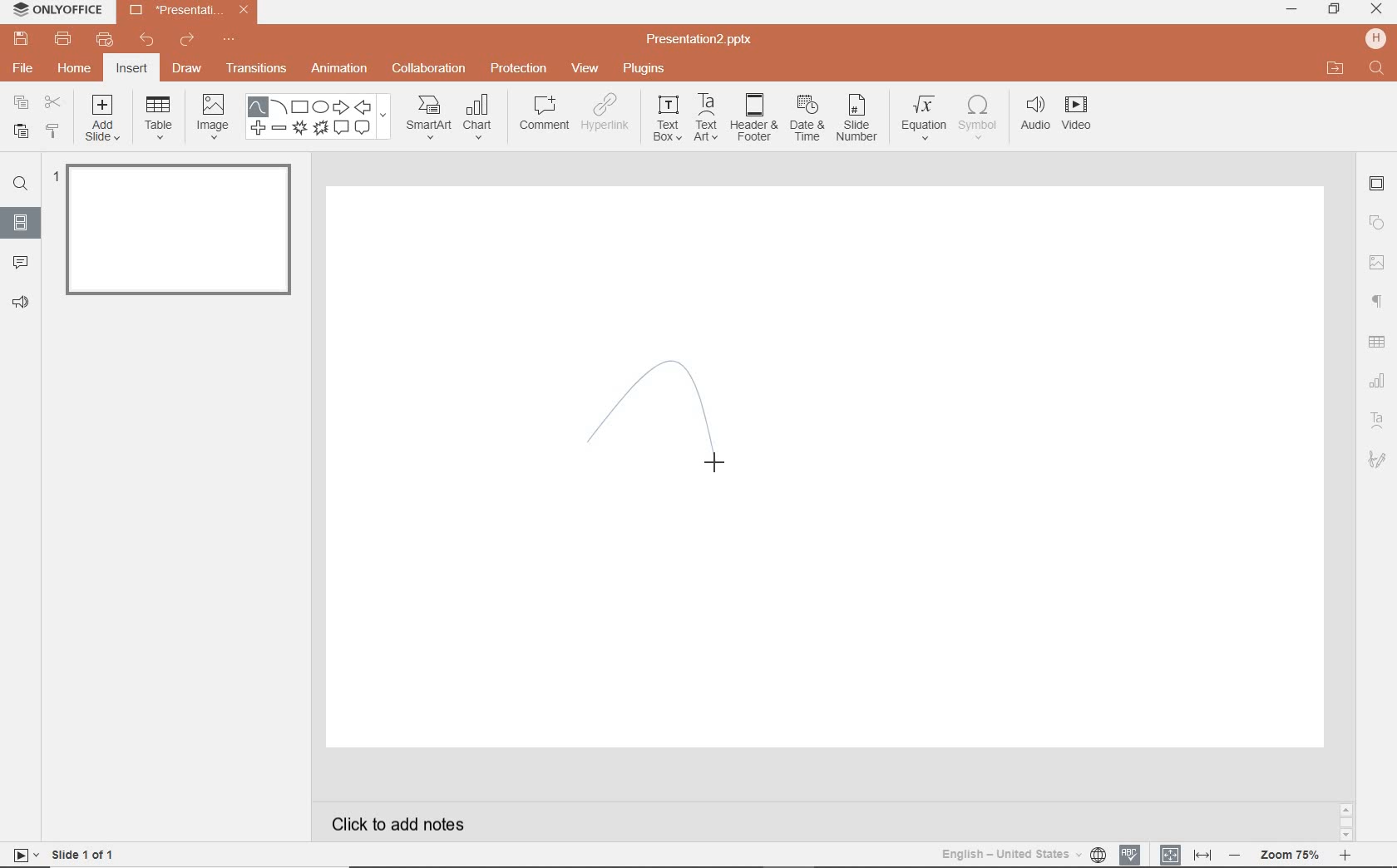  Describe the element at coordinates (1335, 69) in the screenshot. I see `OPEN FILE LOCATION` at that location.